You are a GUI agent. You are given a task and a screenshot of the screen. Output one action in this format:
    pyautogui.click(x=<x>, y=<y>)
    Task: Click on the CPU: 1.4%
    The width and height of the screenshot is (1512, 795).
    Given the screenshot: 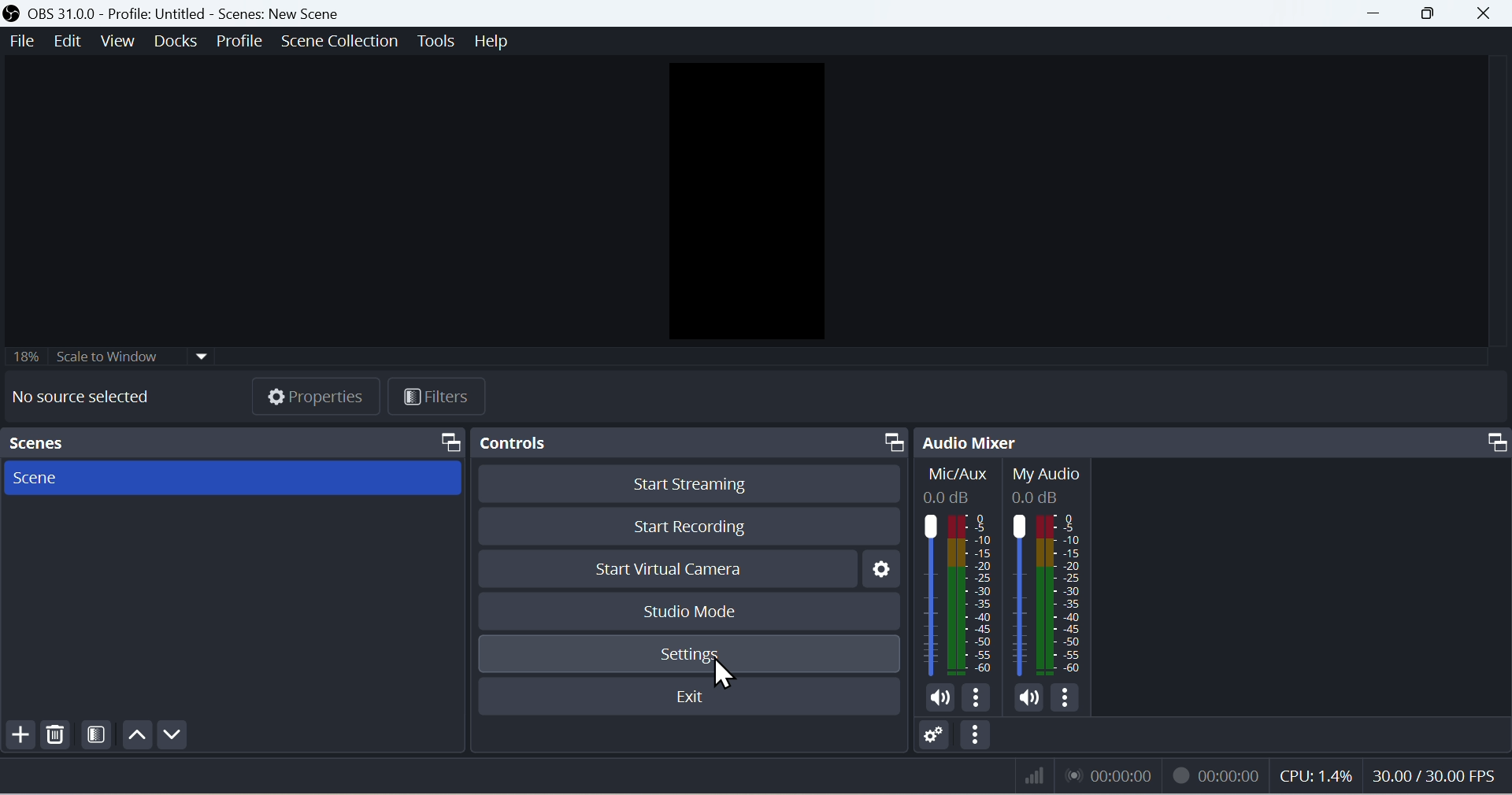 What is the action you would take?
    pyautogui.click(x=1314, y=774)
    